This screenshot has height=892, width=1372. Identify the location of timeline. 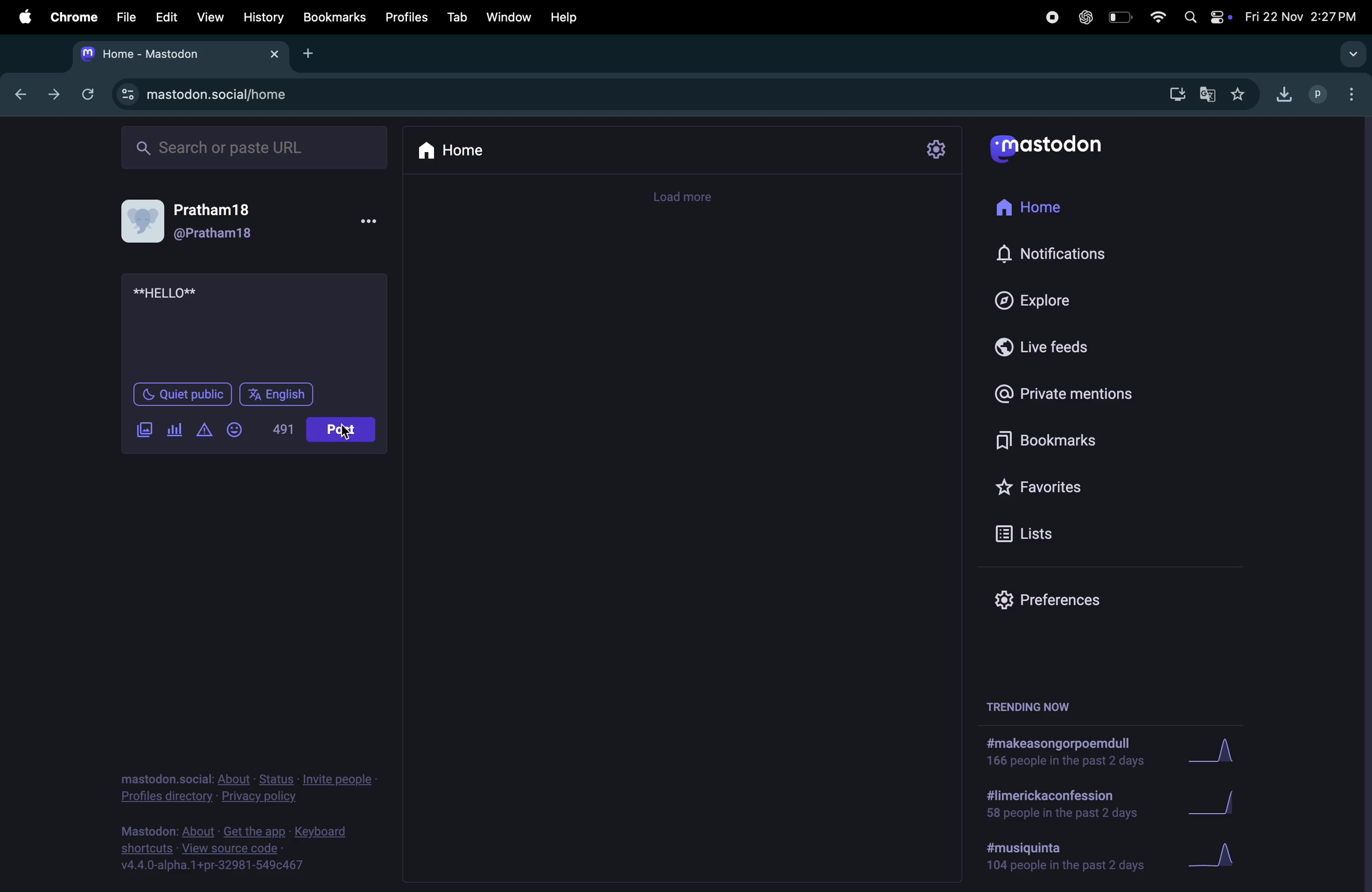
(695, 198).